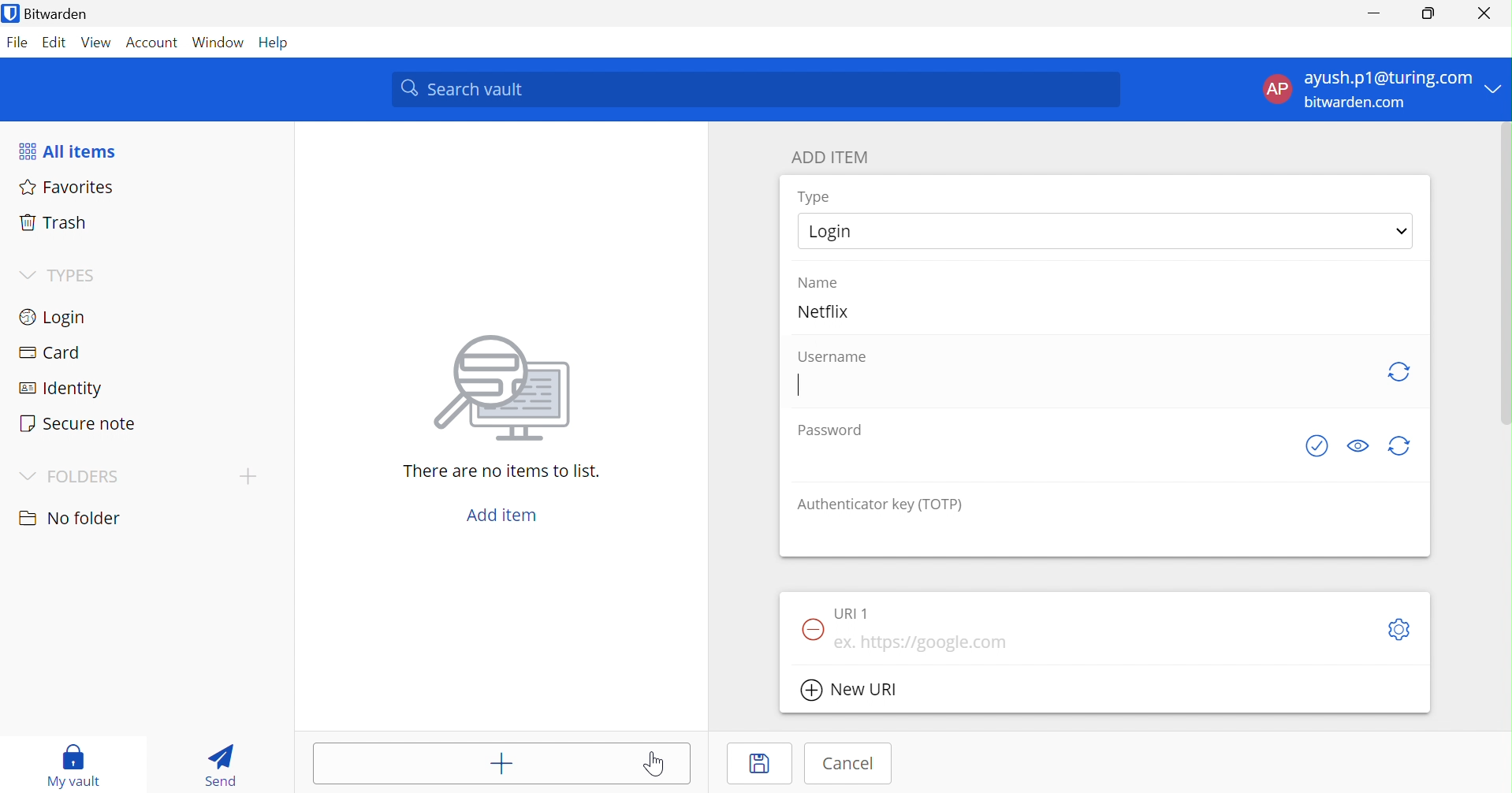  What do you see at coordinates (60, 275) in the screenshot?
I see `TYPES` at bounding box center [60, 275].